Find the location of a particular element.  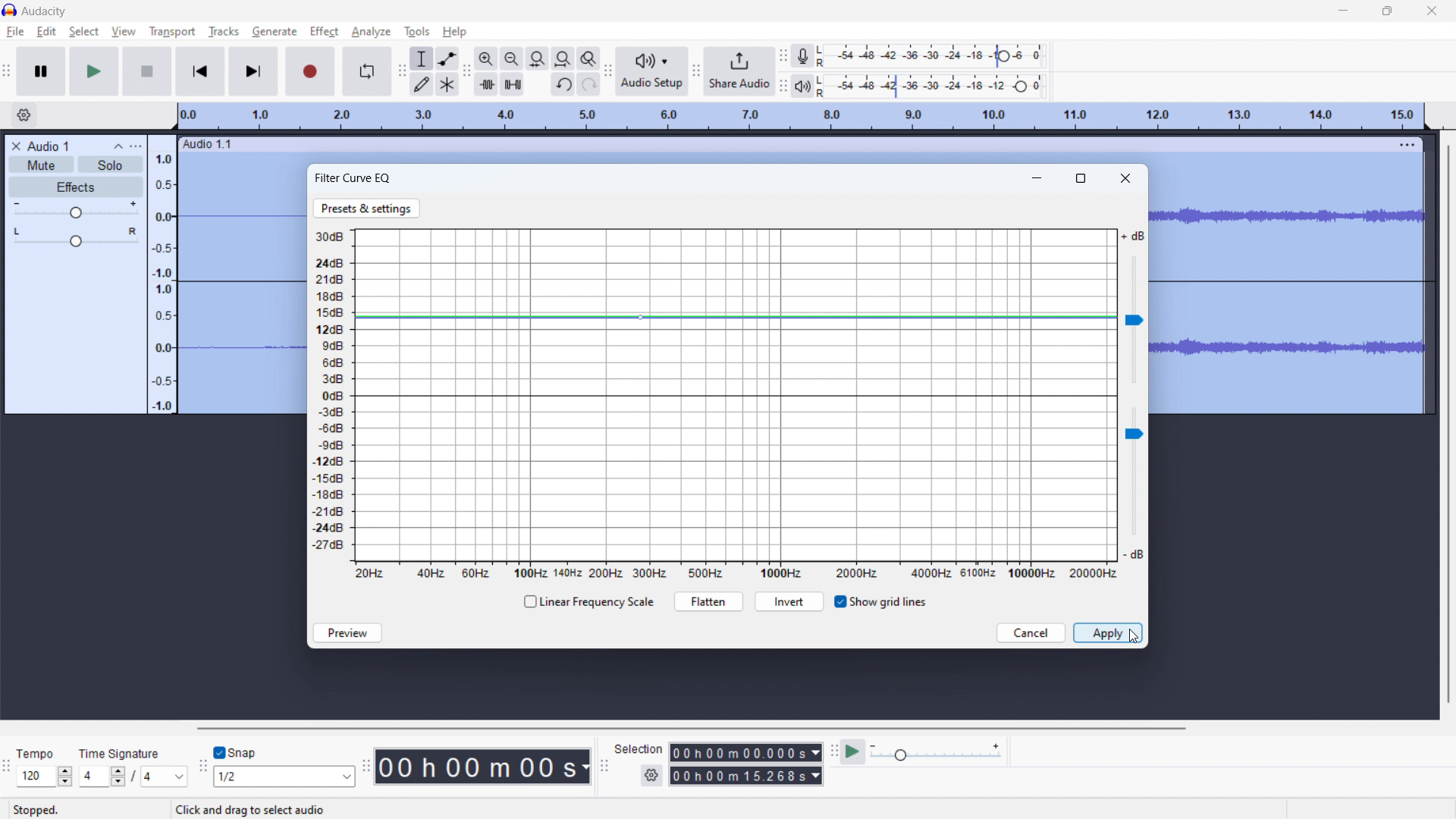

cancel is located at coordinates (1031, 633).